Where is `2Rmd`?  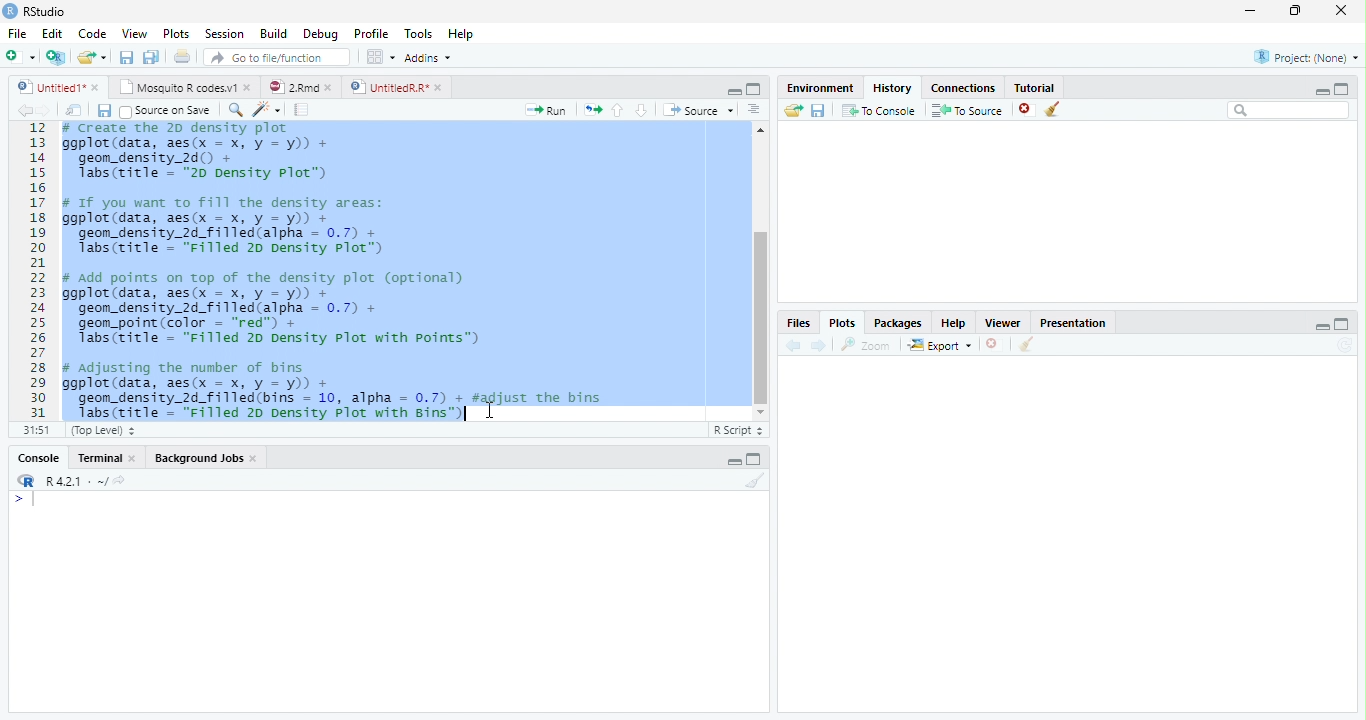 2Rmd is located at coordinates (292, 86).